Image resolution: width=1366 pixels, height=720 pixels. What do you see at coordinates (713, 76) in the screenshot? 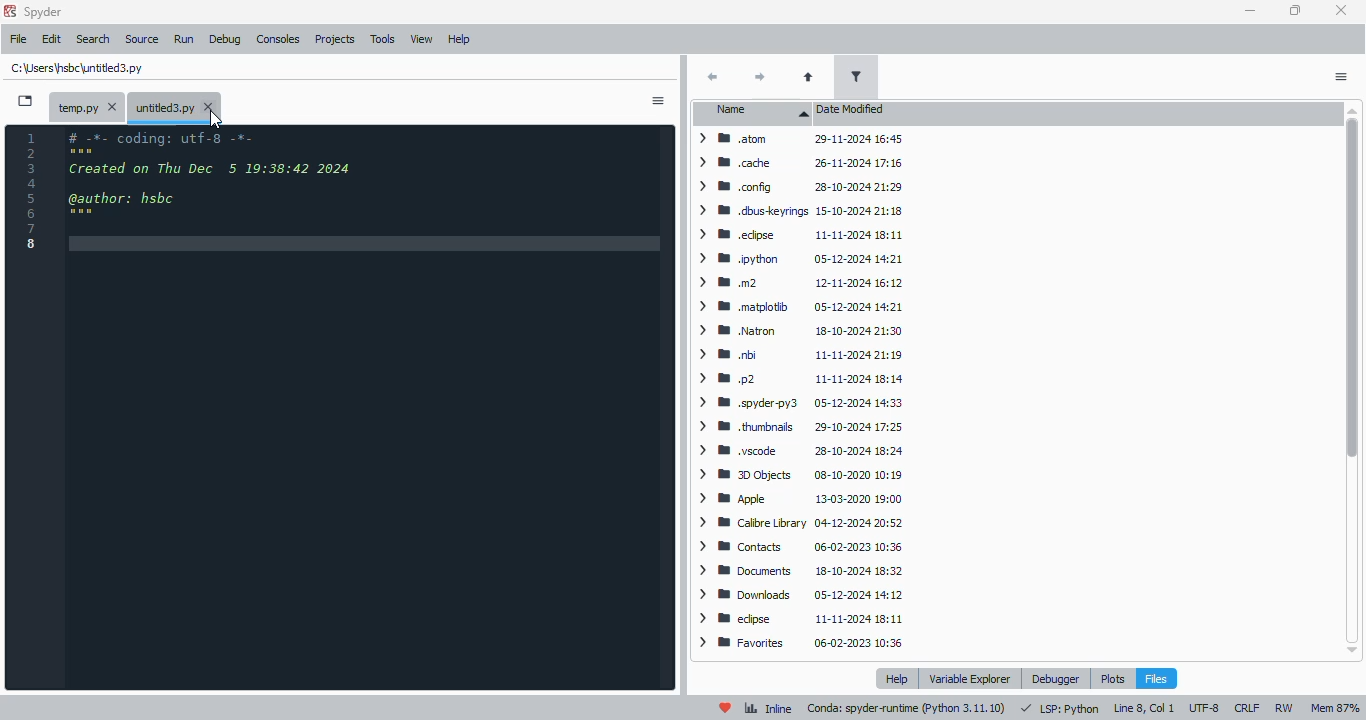
I see `back` at bounding box center [713, 76].